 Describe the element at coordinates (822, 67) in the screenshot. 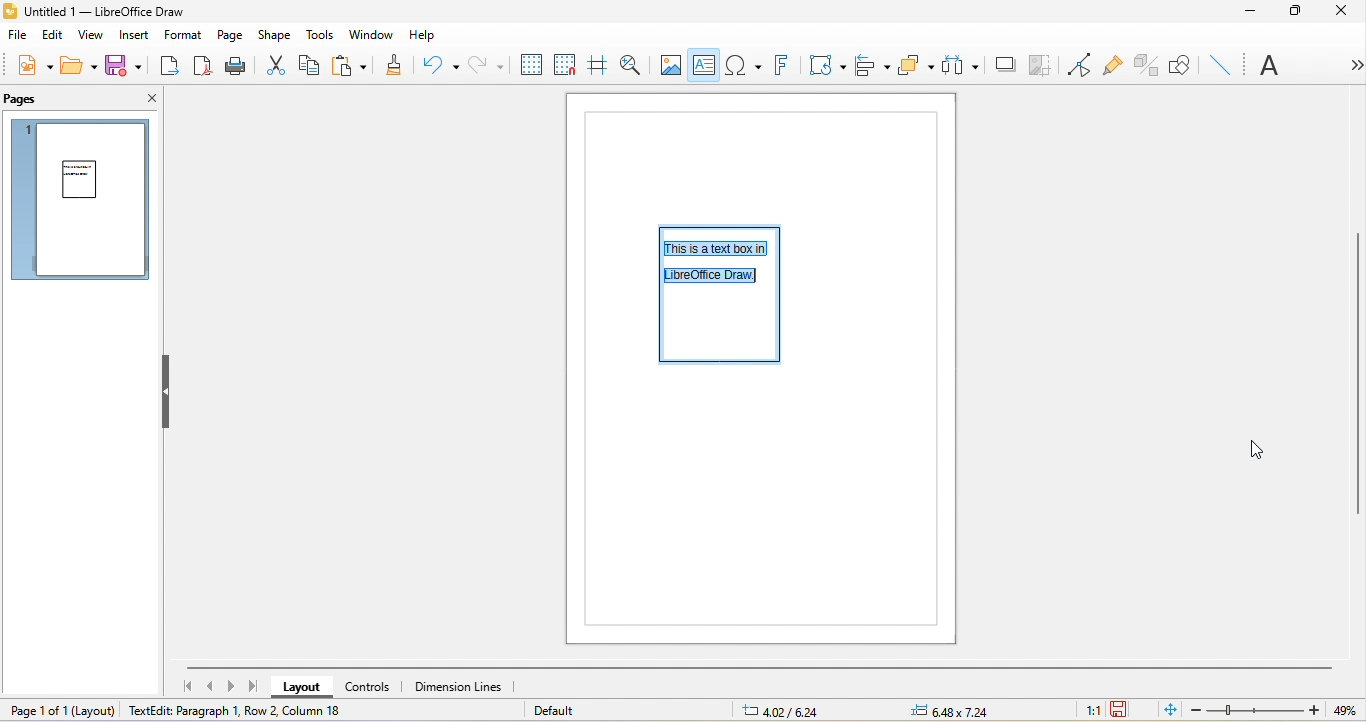

I see `transformation` at that location.